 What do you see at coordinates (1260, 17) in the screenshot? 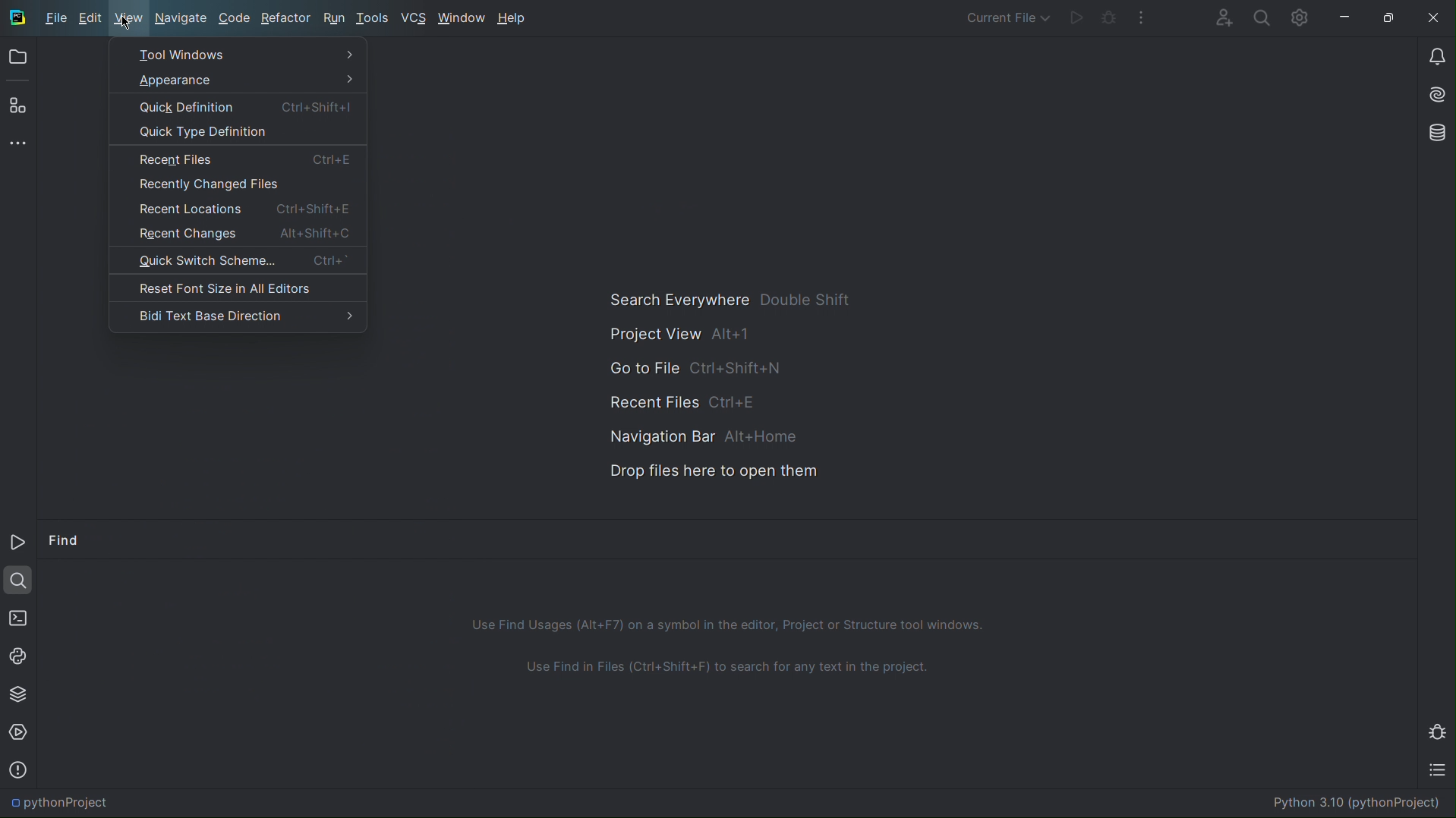
I see `Search` at bounding box center [1260, 17].